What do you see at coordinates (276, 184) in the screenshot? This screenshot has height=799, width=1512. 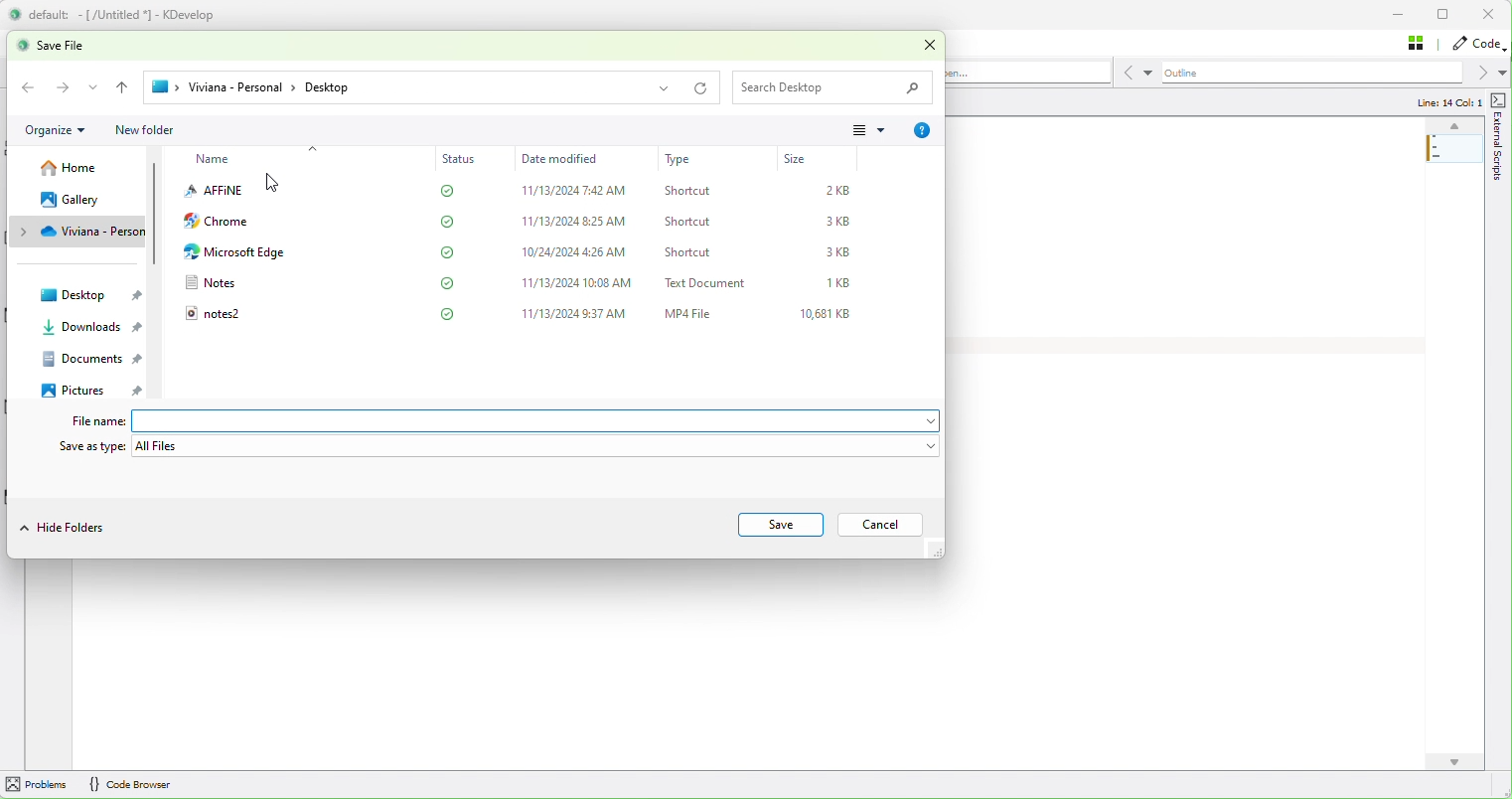 I see `cursor` at bounding box center [276, 184].